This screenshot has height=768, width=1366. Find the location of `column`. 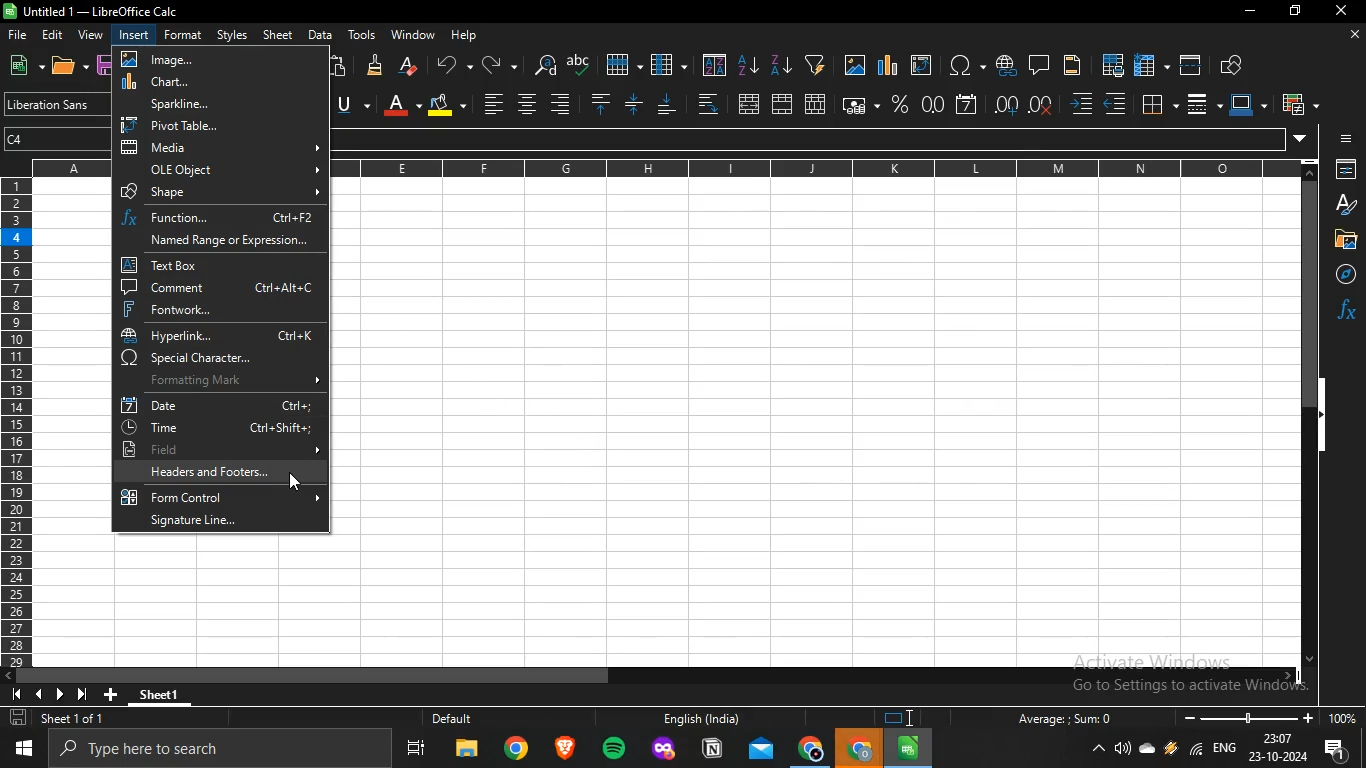

column is located at coordinates (668, 65).